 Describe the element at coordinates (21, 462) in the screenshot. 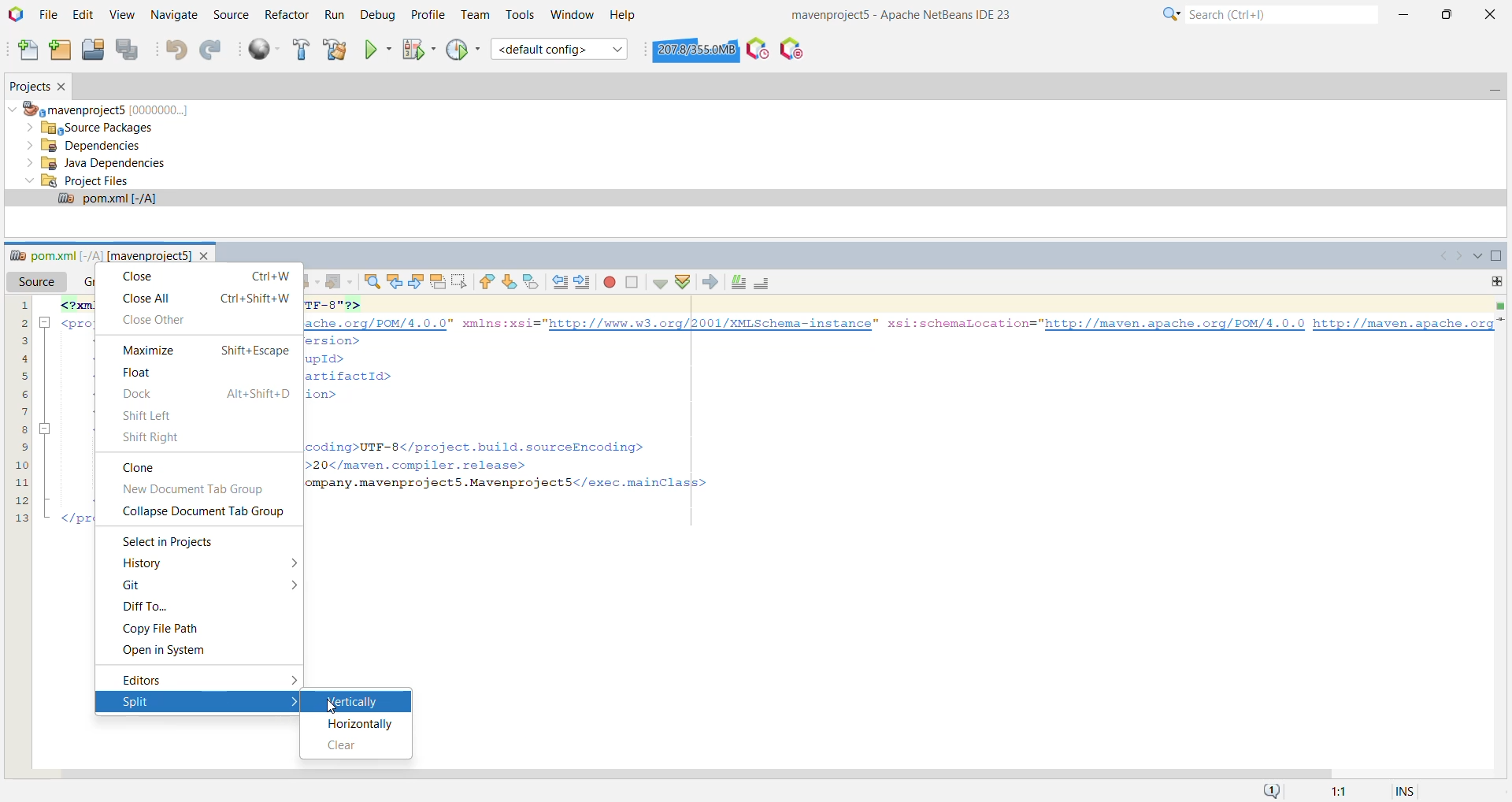

I see `10` at that location.